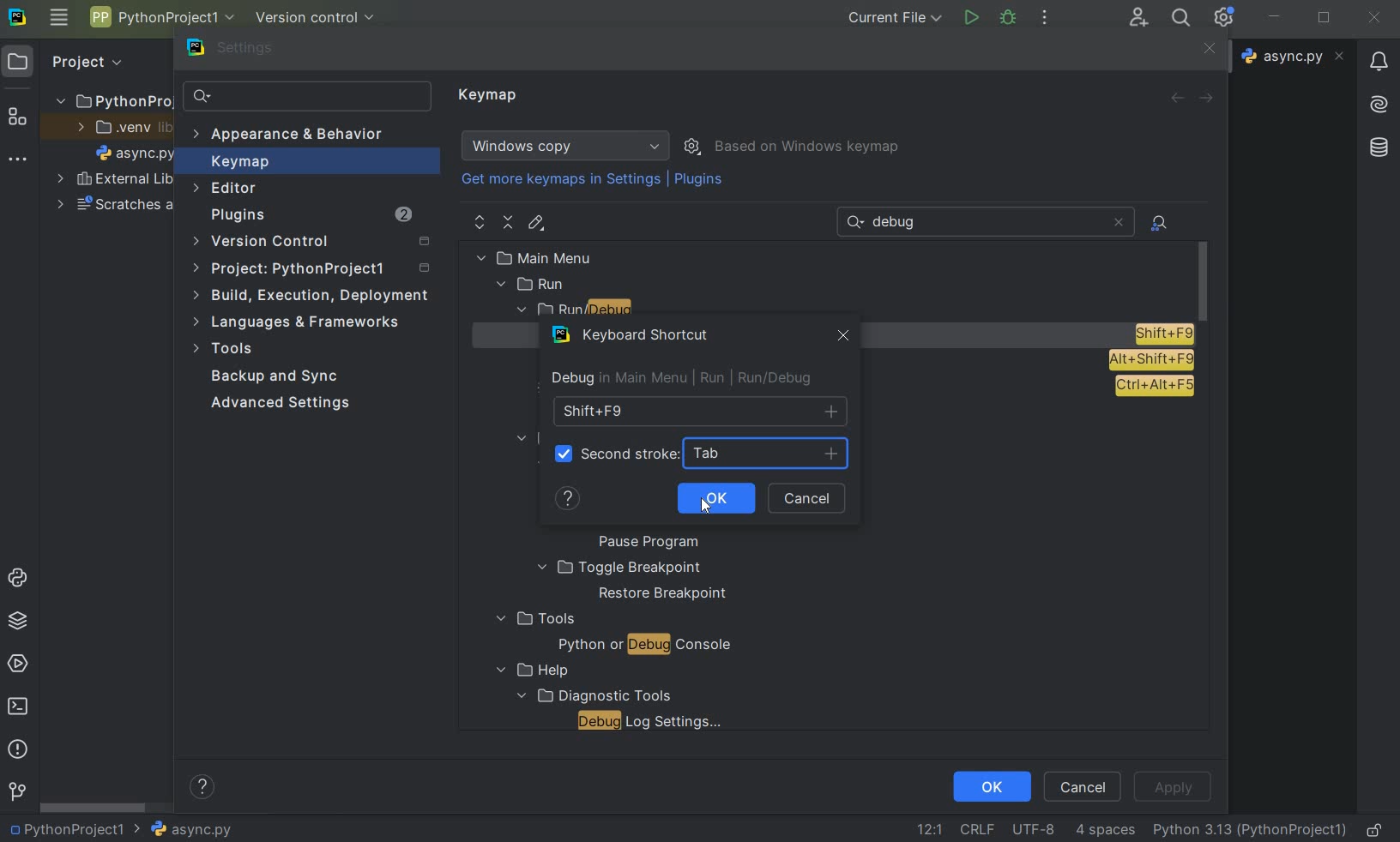  What do you see at coordinates (1326, 20) in the screenshot?
I see `restore down` at bounding box center [1326, 20].